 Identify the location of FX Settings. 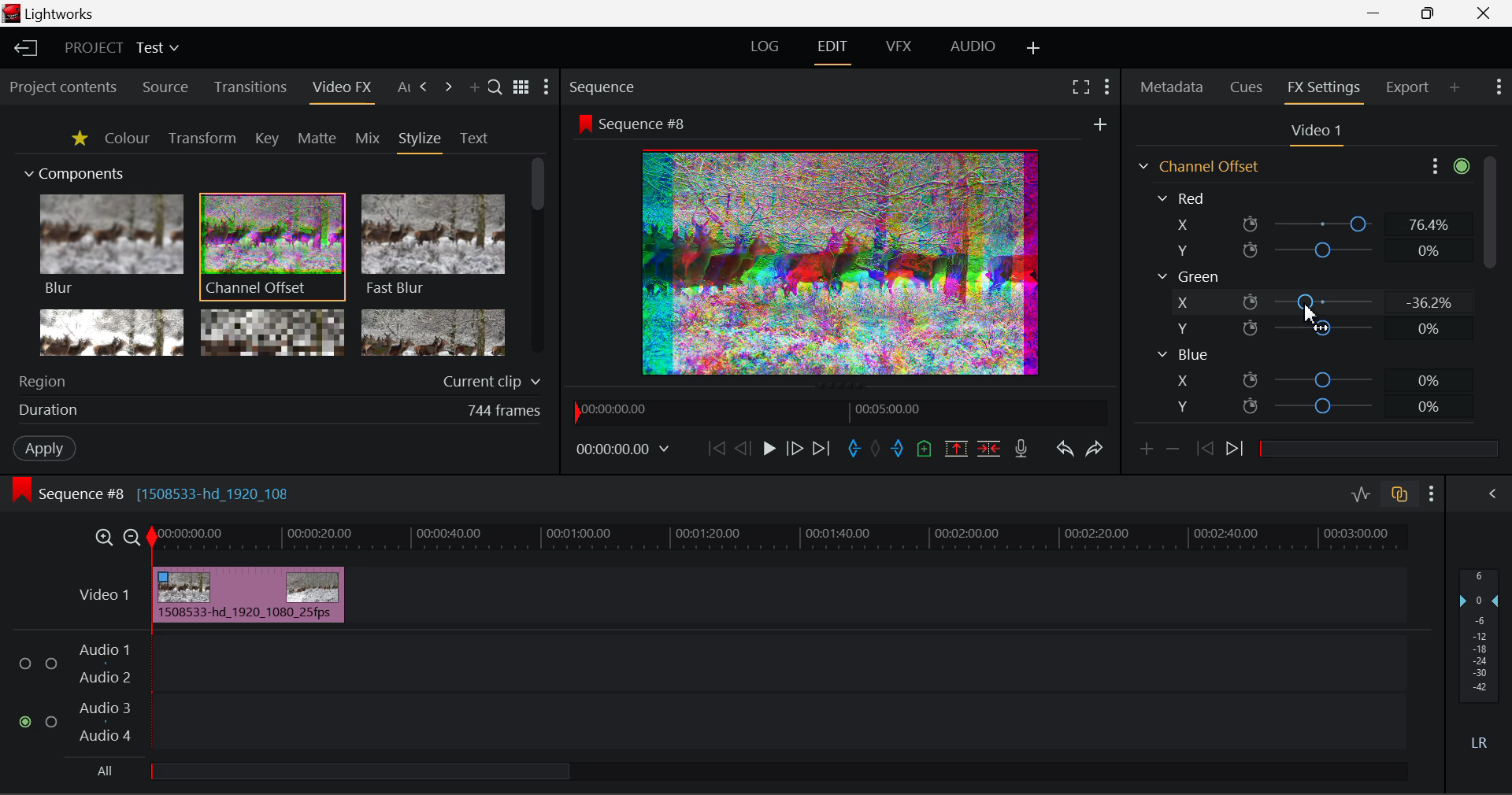
(1325, 89).